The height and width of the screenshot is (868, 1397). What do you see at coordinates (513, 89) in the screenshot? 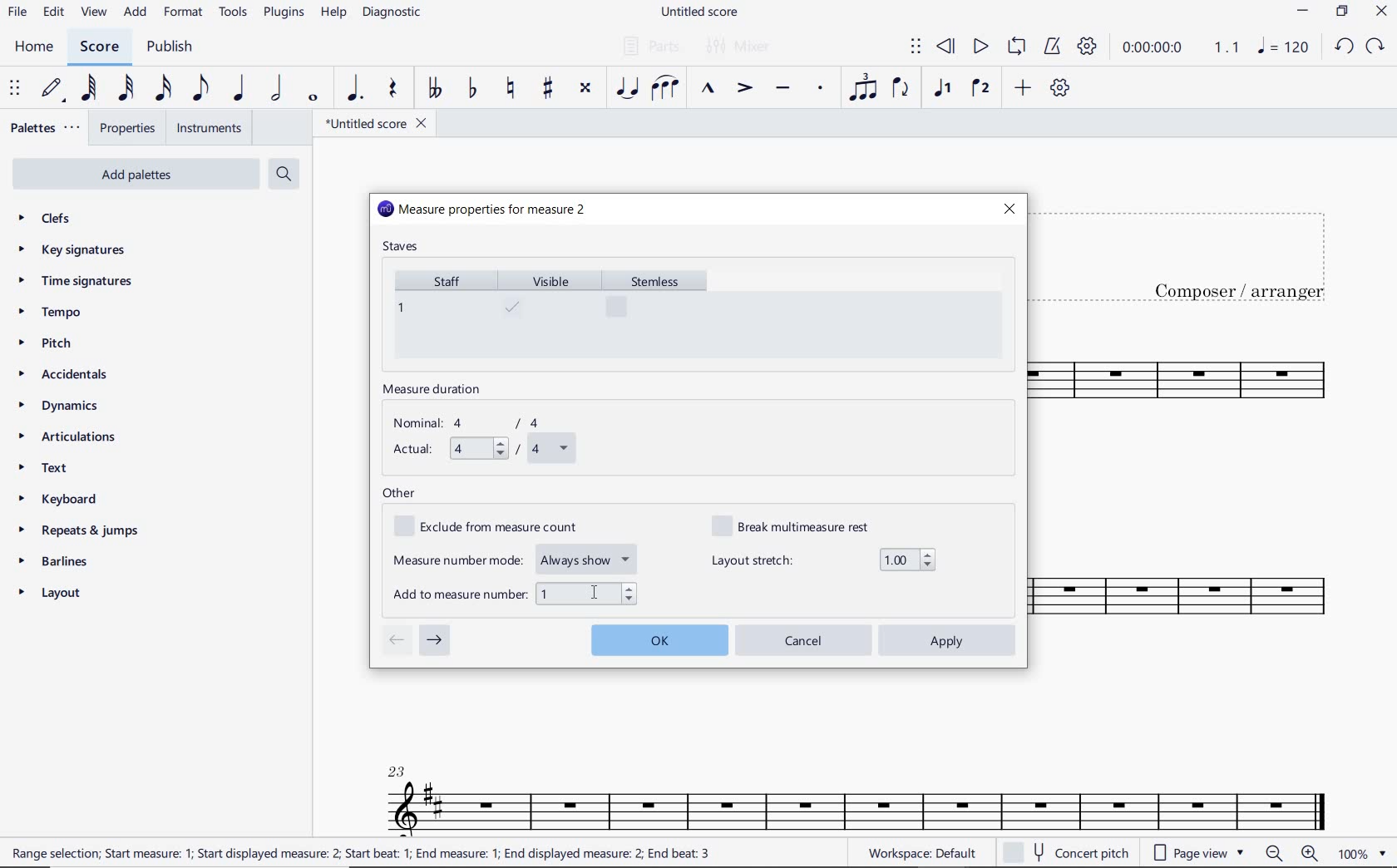
I see `TOGGLE NATURAL` at bounding box center [513, 89].